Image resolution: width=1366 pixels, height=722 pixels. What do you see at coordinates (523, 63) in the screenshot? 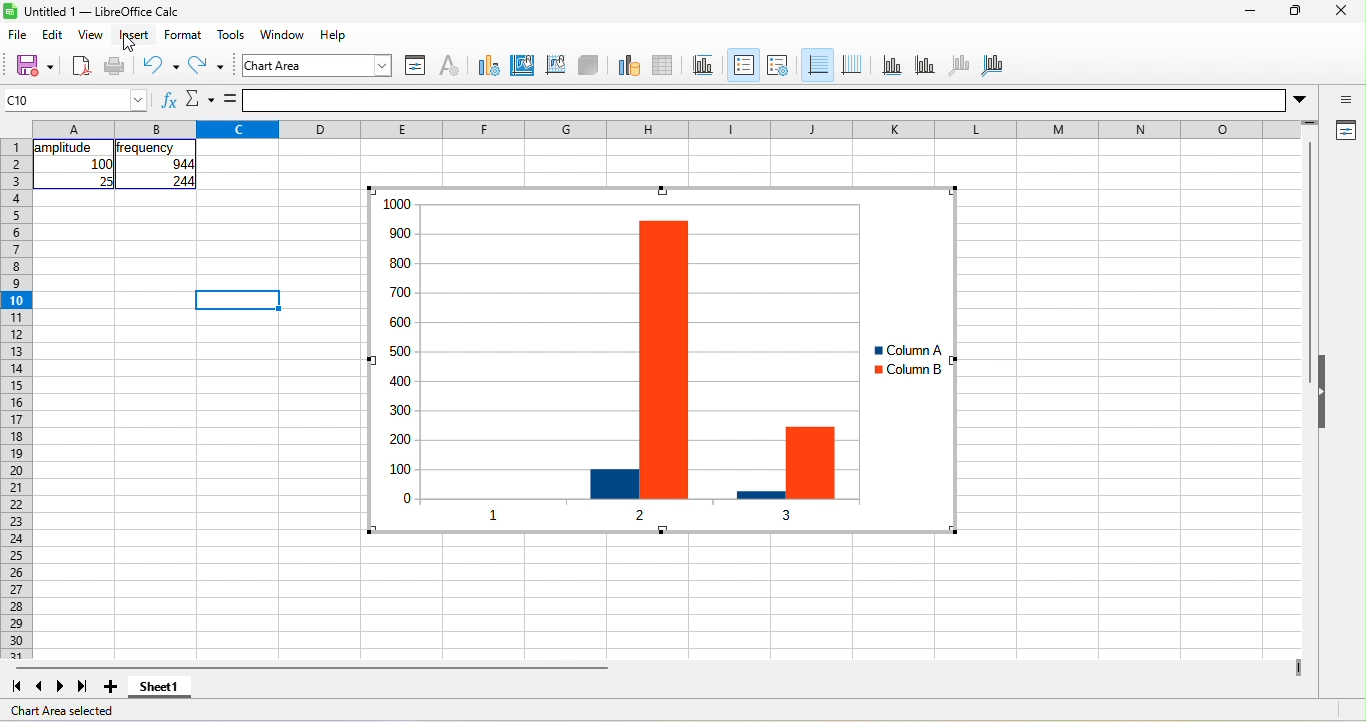
I see `chart area` at bounding box center [523, 63].